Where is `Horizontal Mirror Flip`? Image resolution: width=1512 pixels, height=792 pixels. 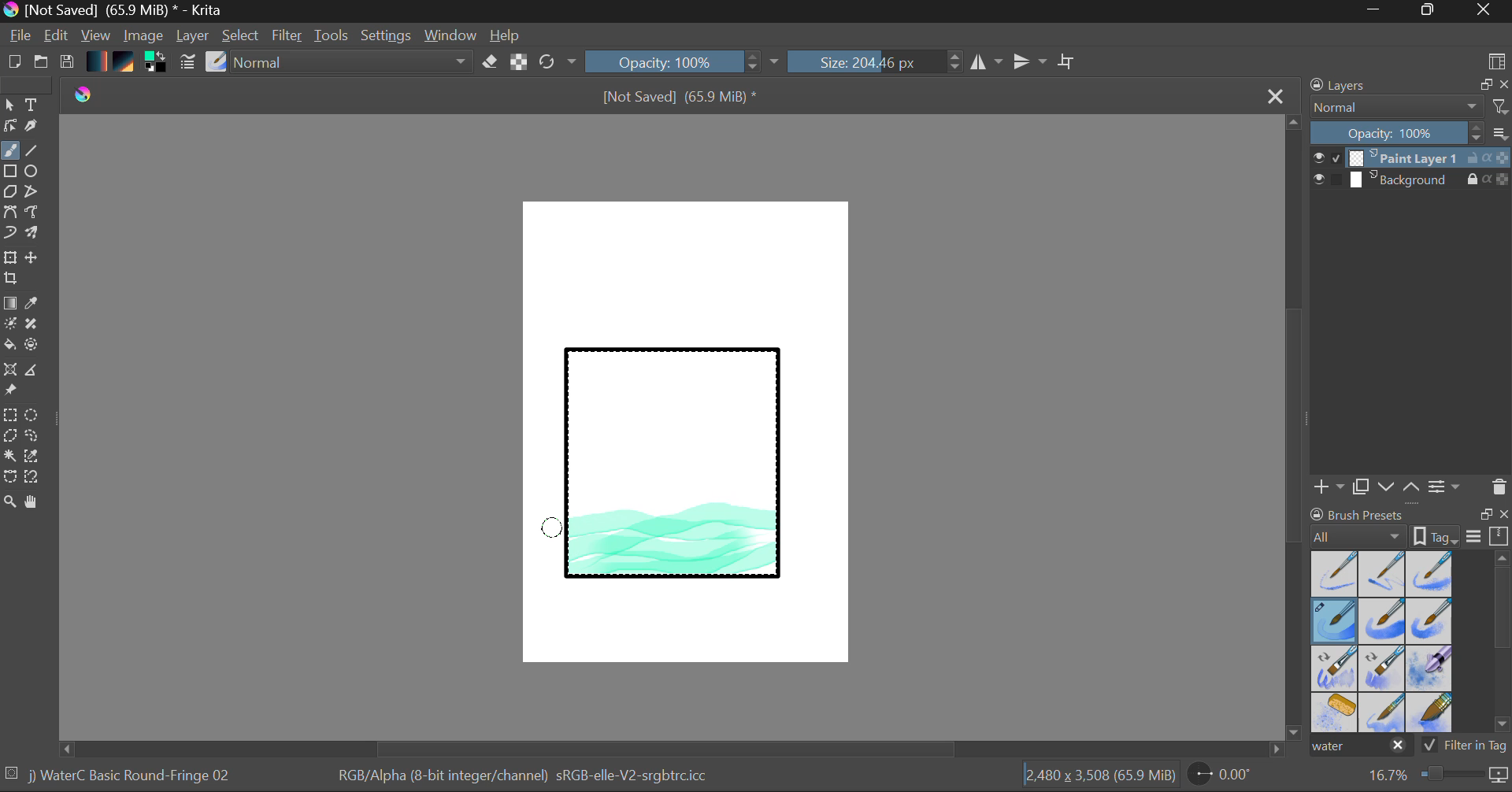
Horizontal Mirror Flip is located at coordinates (1033, 63).